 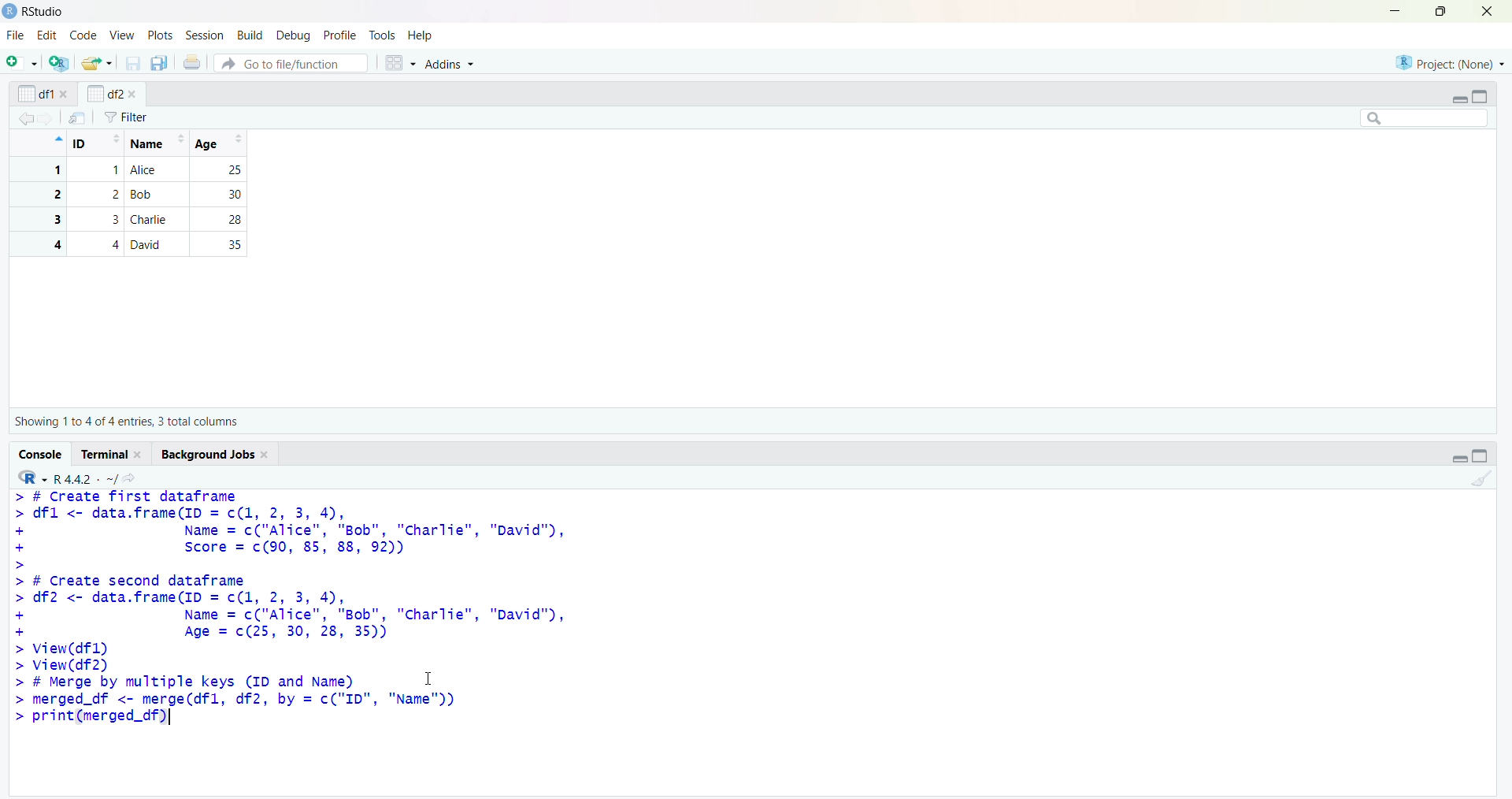 I want to click on 1 1 Alice 25, so click(x=135, y=170).